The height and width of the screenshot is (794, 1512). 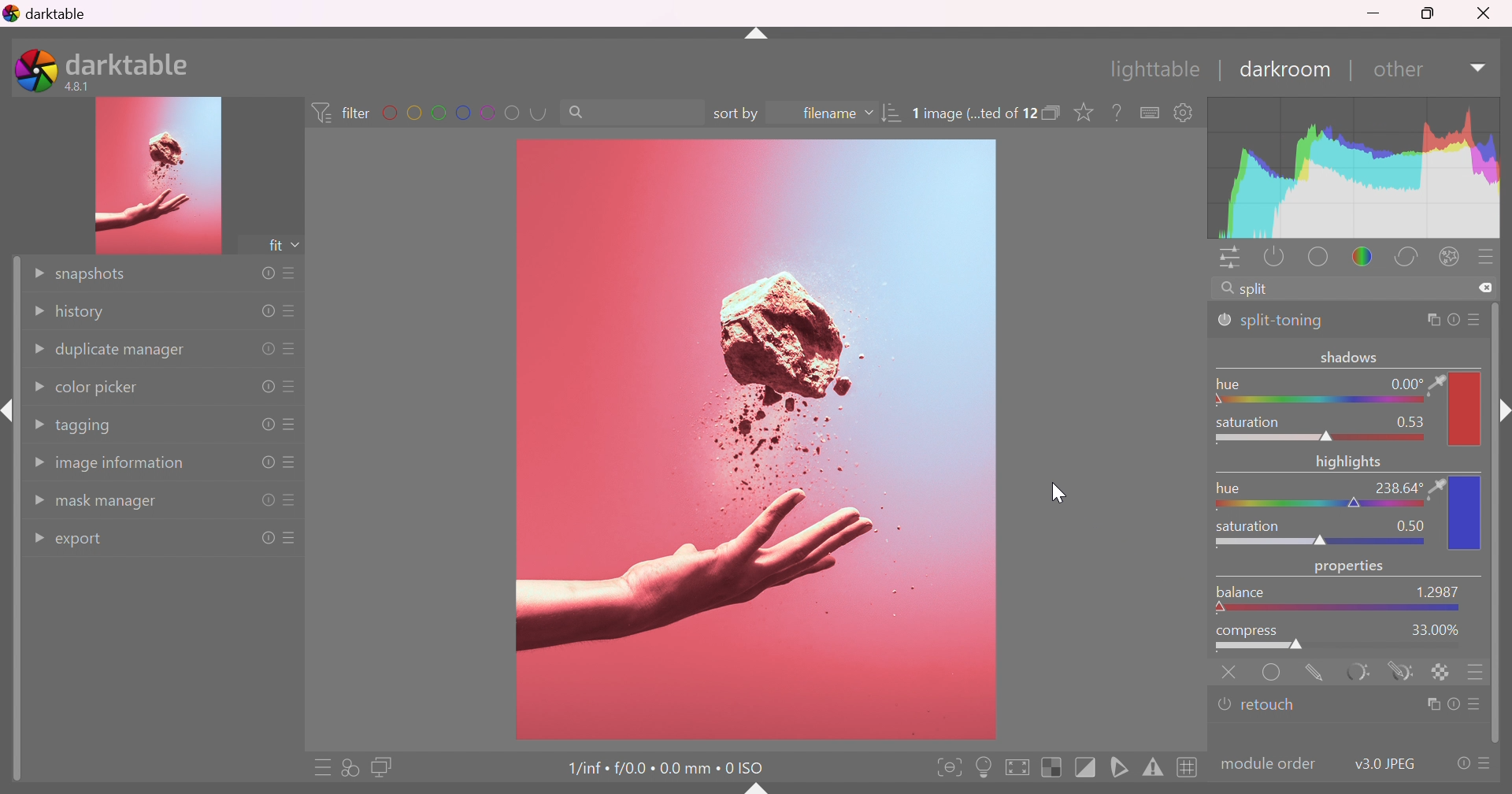 I want to click on snapshots, so click(x=94, y=276).